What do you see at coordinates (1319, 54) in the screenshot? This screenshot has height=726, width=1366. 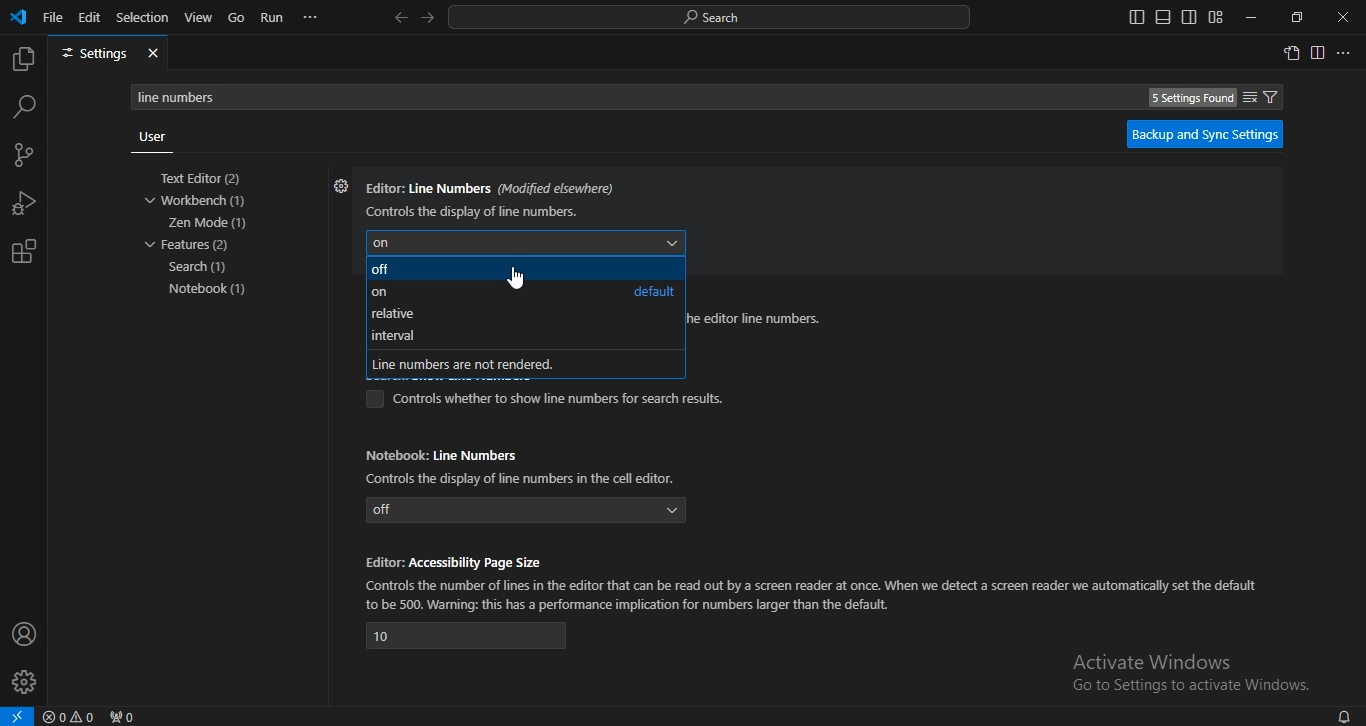 I see `split editor` at bounding box center [1319, 54].